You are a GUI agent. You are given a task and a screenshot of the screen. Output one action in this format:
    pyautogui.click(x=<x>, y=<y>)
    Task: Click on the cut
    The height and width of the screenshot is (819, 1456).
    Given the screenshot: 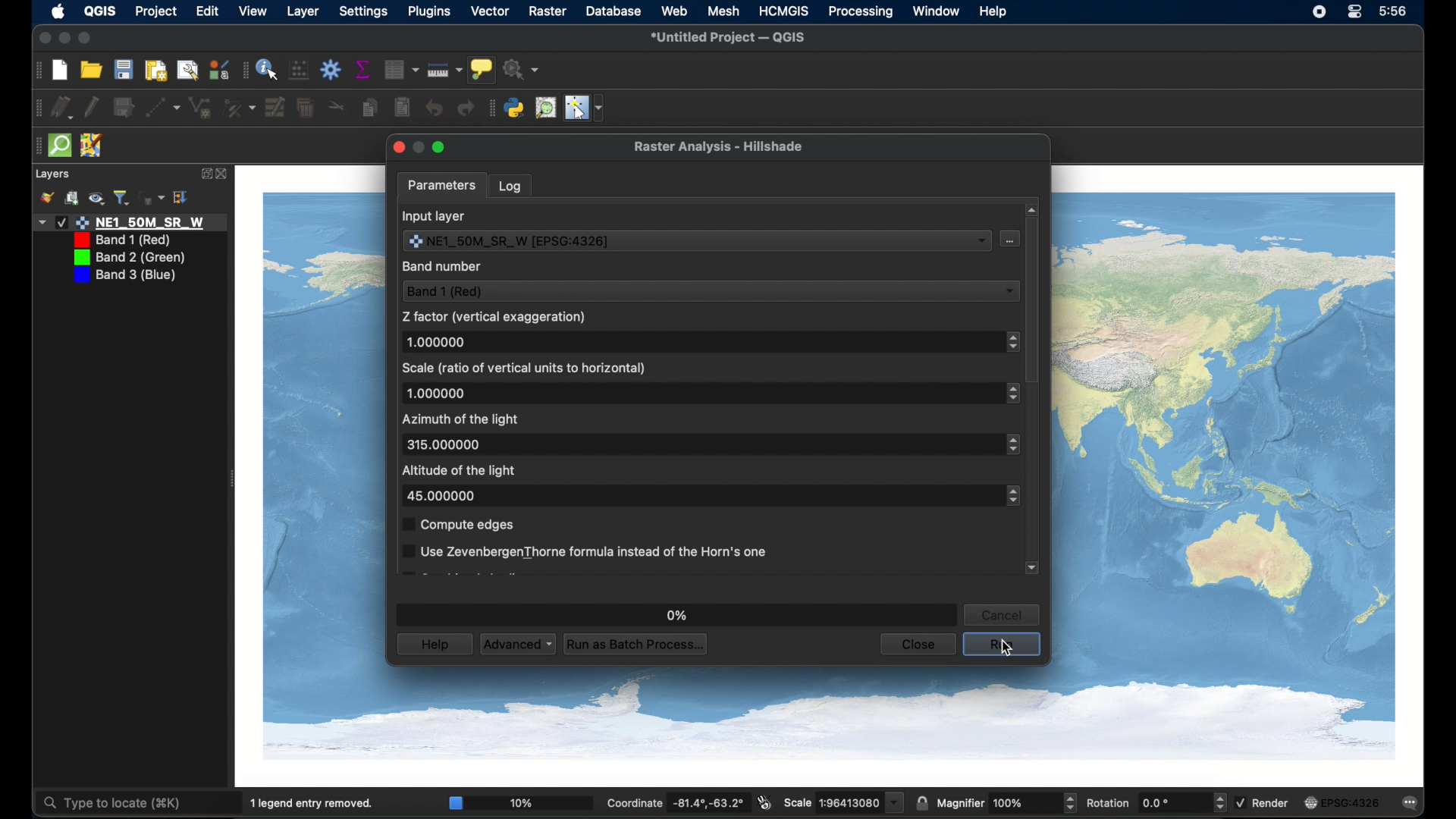 What is the action you would take?
    pyautogui.click(x=337, y=106)
    